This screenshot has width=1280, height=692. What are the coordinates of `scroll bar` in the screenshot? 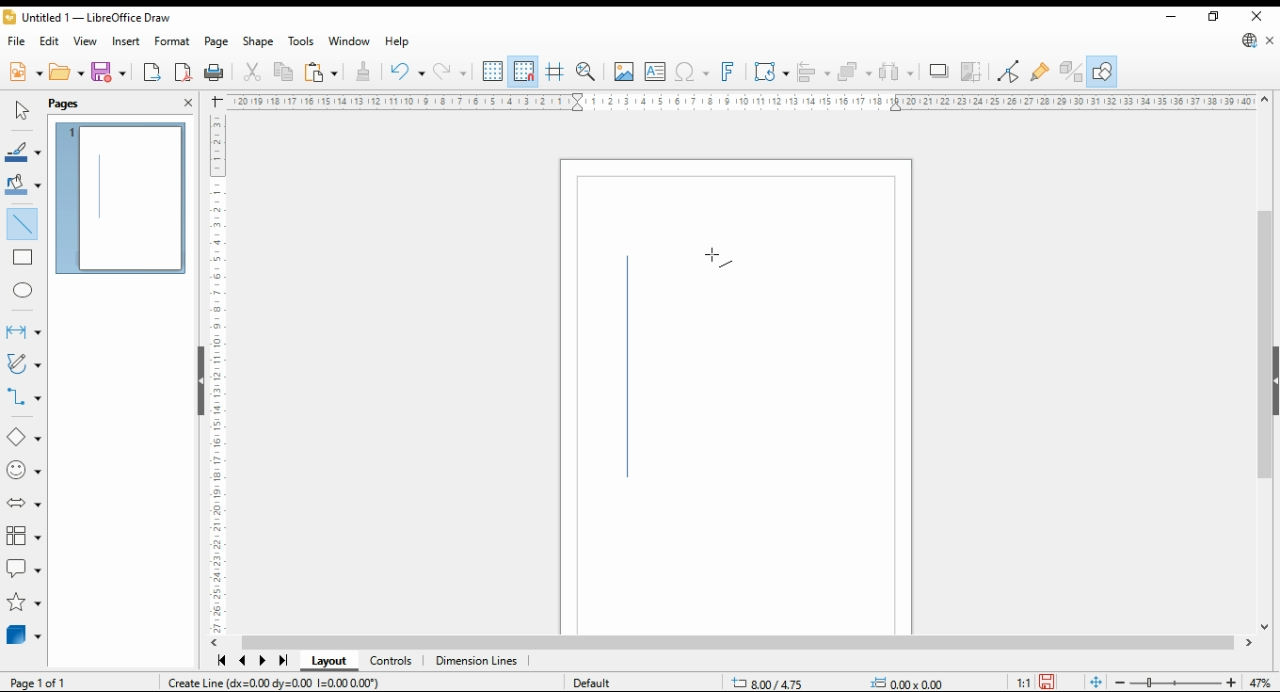 It's located at (1259, 361).